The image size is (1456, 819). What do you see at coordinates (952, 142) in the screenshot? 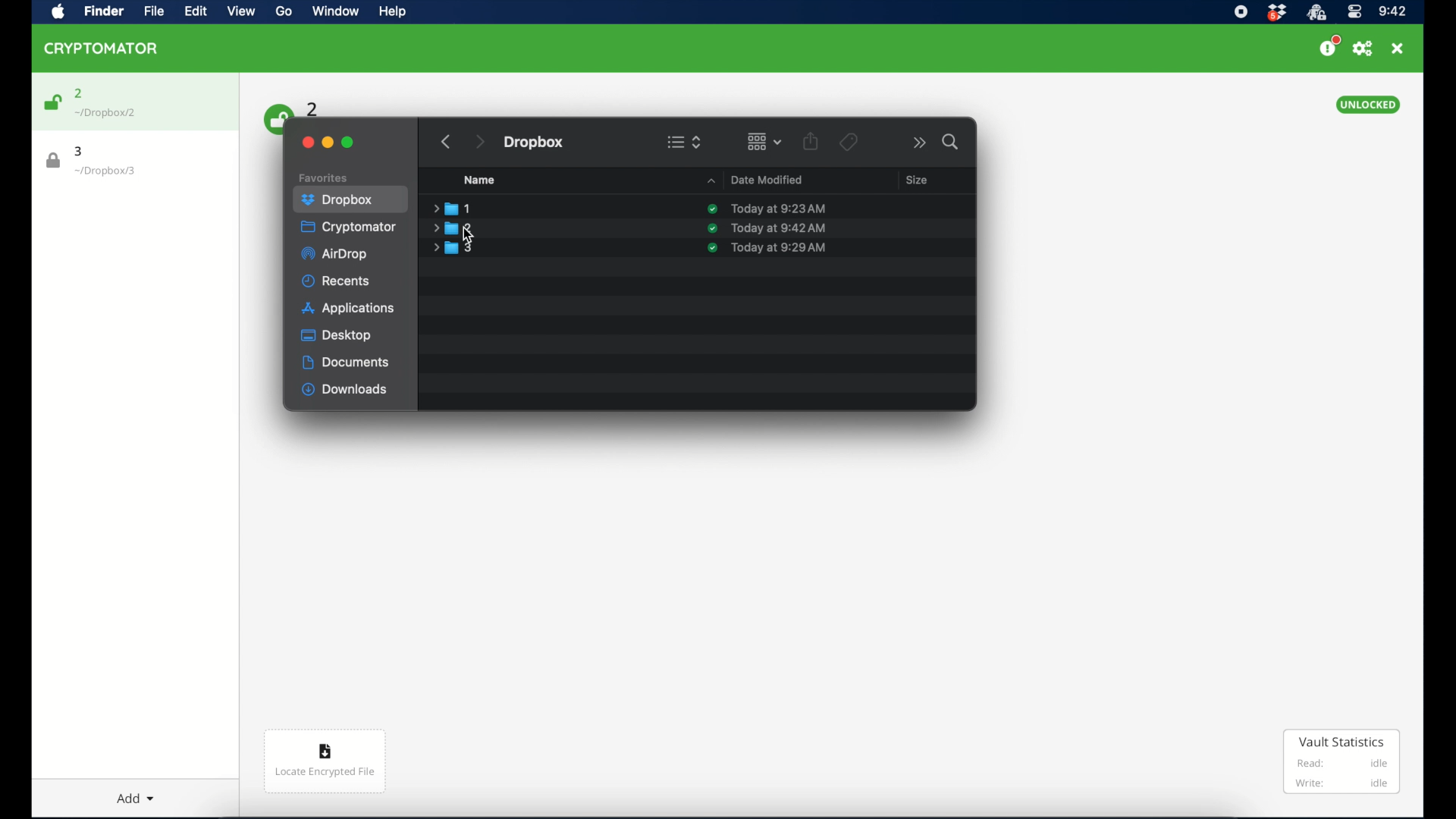
I see `search` at bounding box center [952, 142].